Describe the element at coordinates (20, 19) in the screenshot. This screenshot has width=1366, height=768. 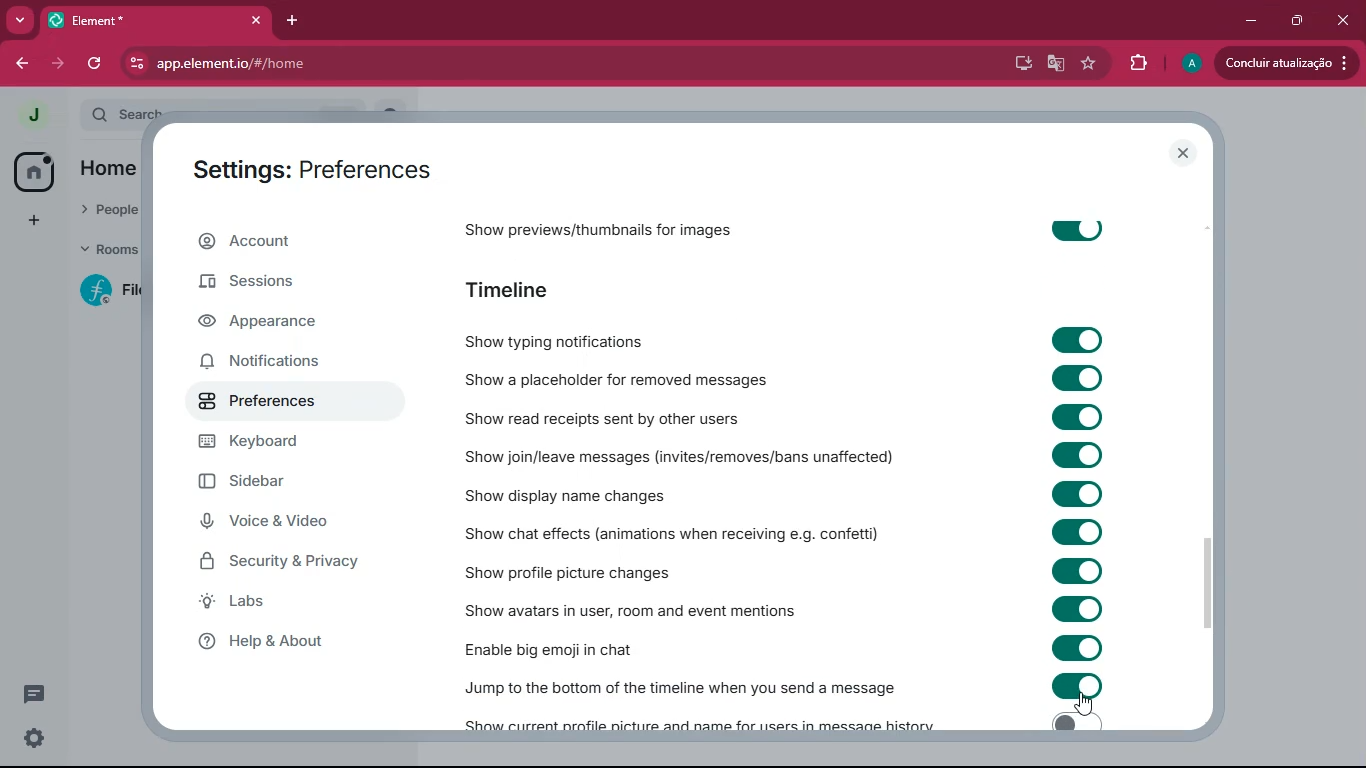
I see `more` at that location.